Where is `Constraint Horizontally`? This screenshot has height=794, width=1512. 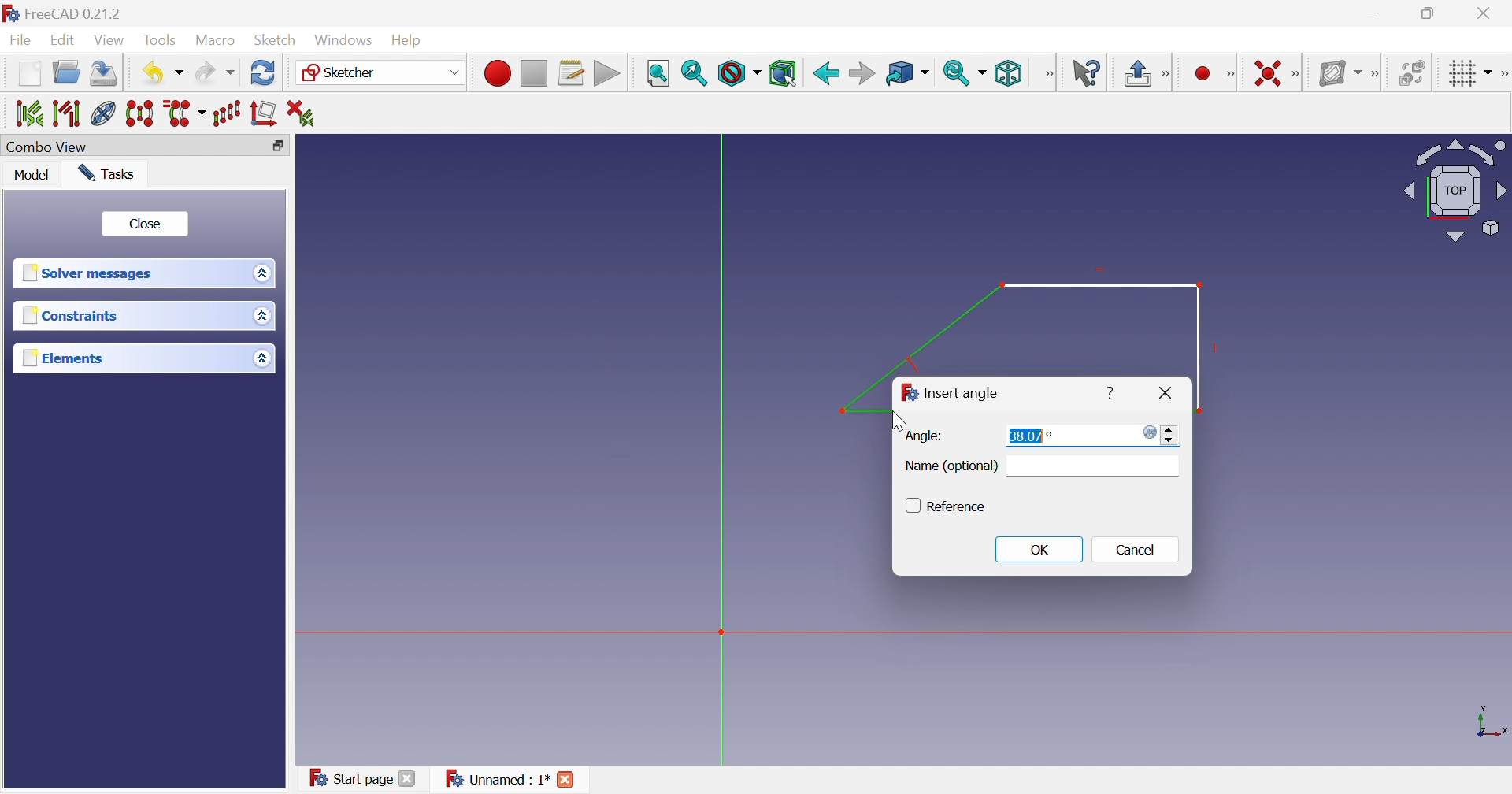
Constraint Horizontally is located at coordinates (1256, 70).